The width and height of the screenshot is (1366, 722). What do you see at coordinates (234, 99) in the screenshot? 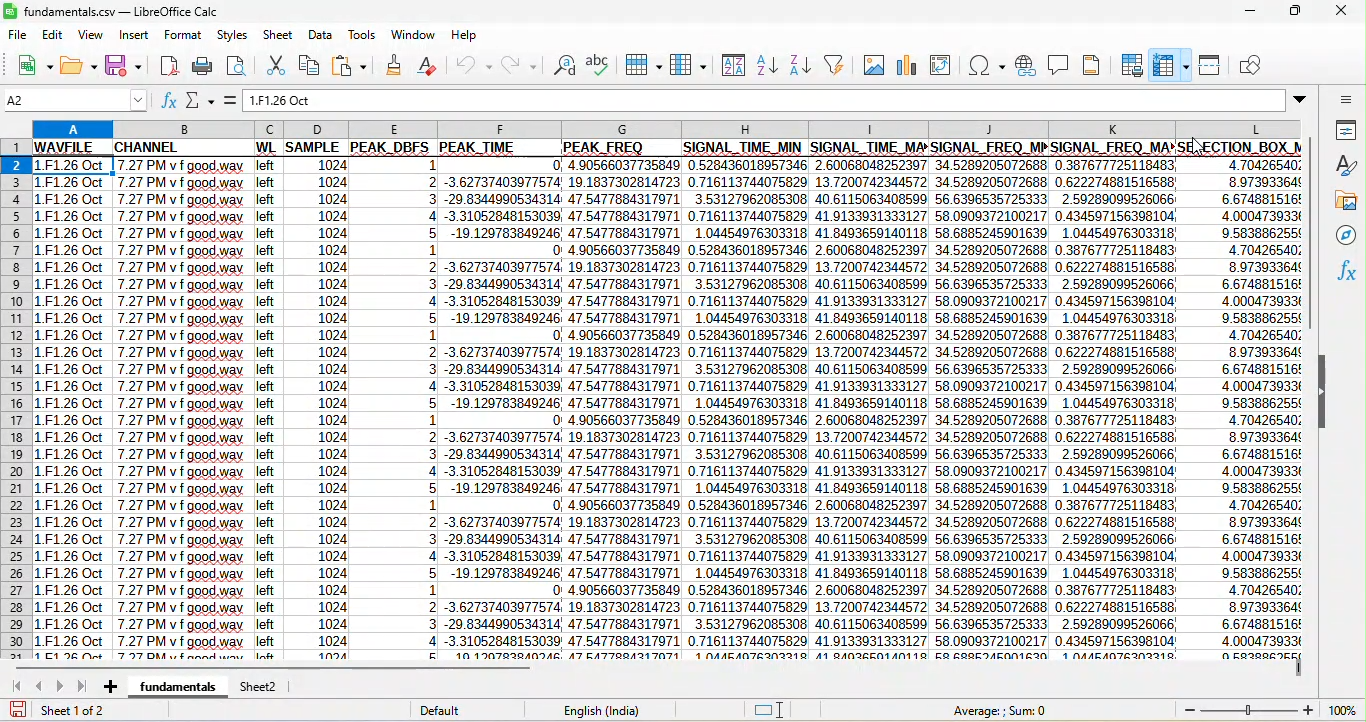
I see `formula` at bounding box center [234, 99].